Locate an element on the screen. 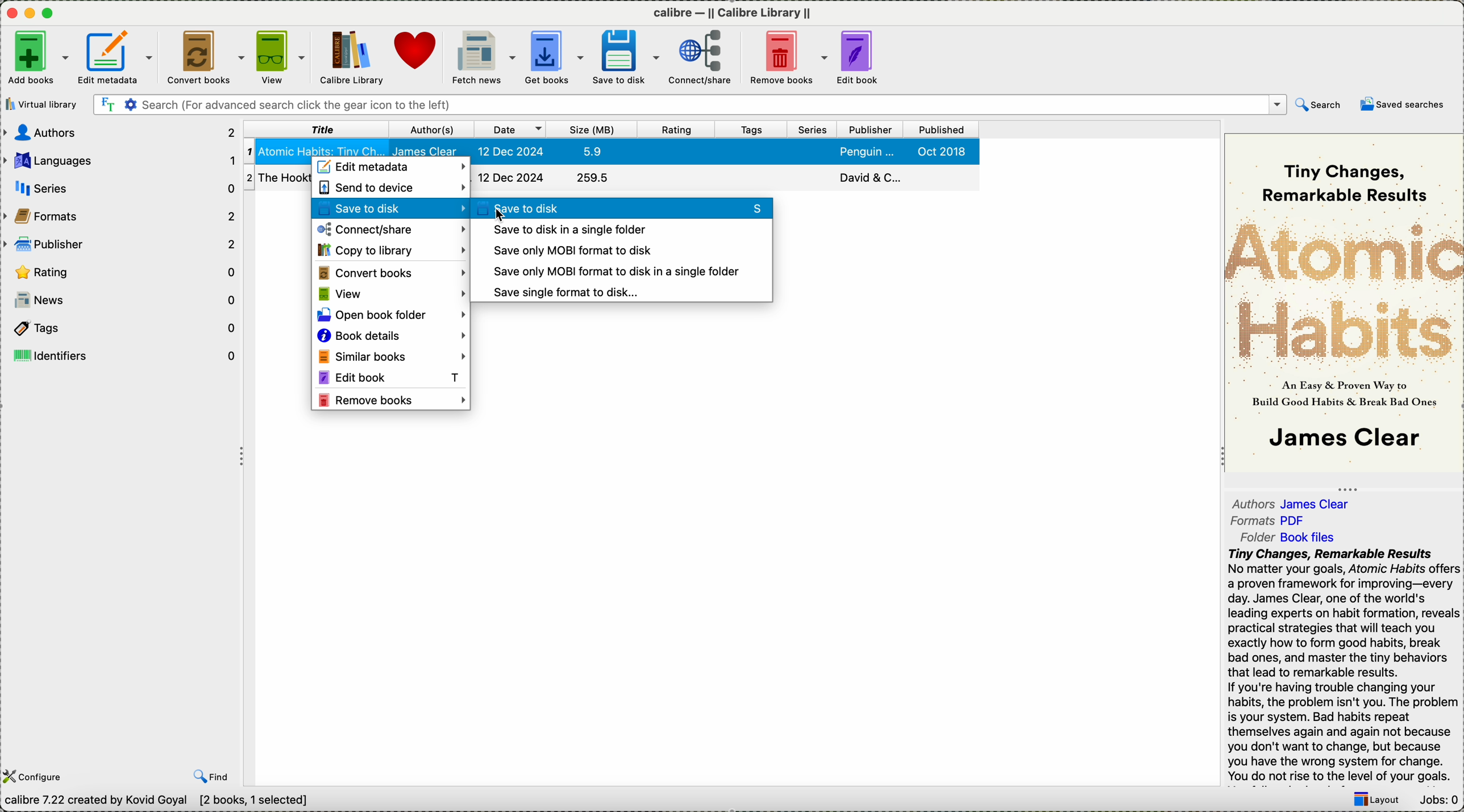 This screenshot has height=812, width=1464. minimize is located at coordinates (30, 11).